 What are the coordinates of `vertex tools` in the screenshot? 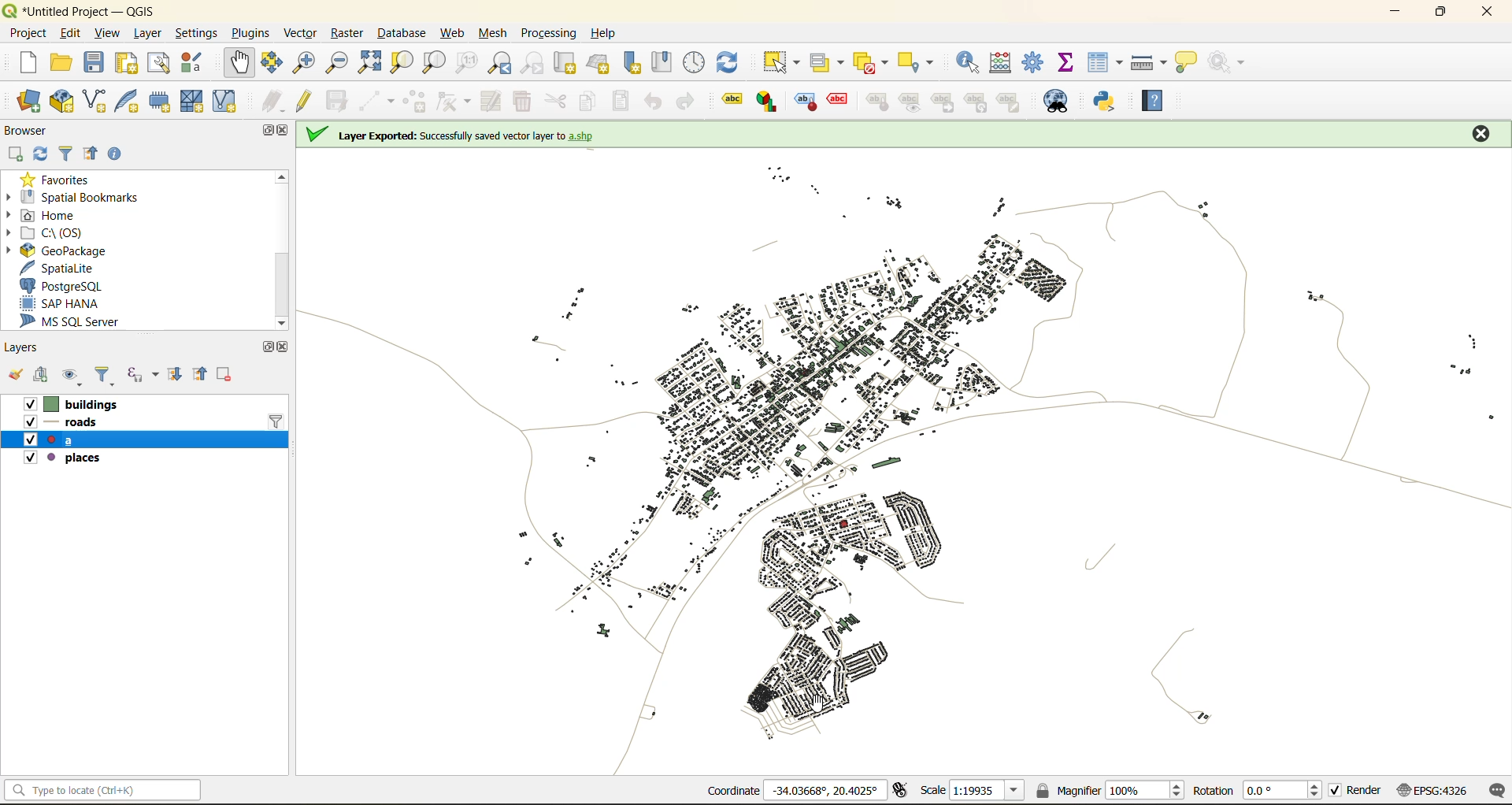 It's located at (454, 101).